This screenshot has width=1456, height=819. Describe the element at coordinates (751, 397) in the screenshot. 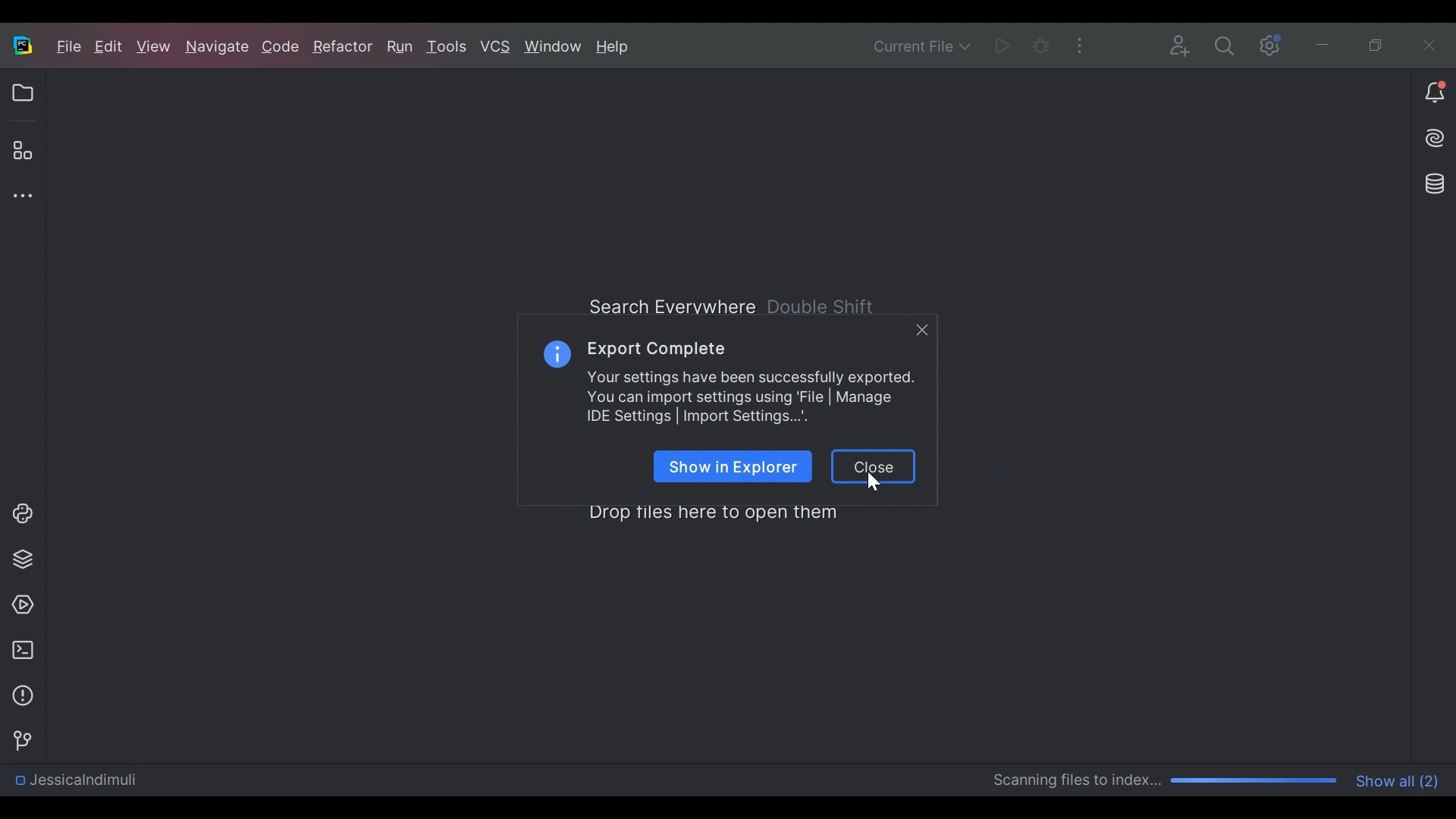

I see `Your Settings has been successfully exported. You can import settings using File| Manage Ide| Import` at that location.